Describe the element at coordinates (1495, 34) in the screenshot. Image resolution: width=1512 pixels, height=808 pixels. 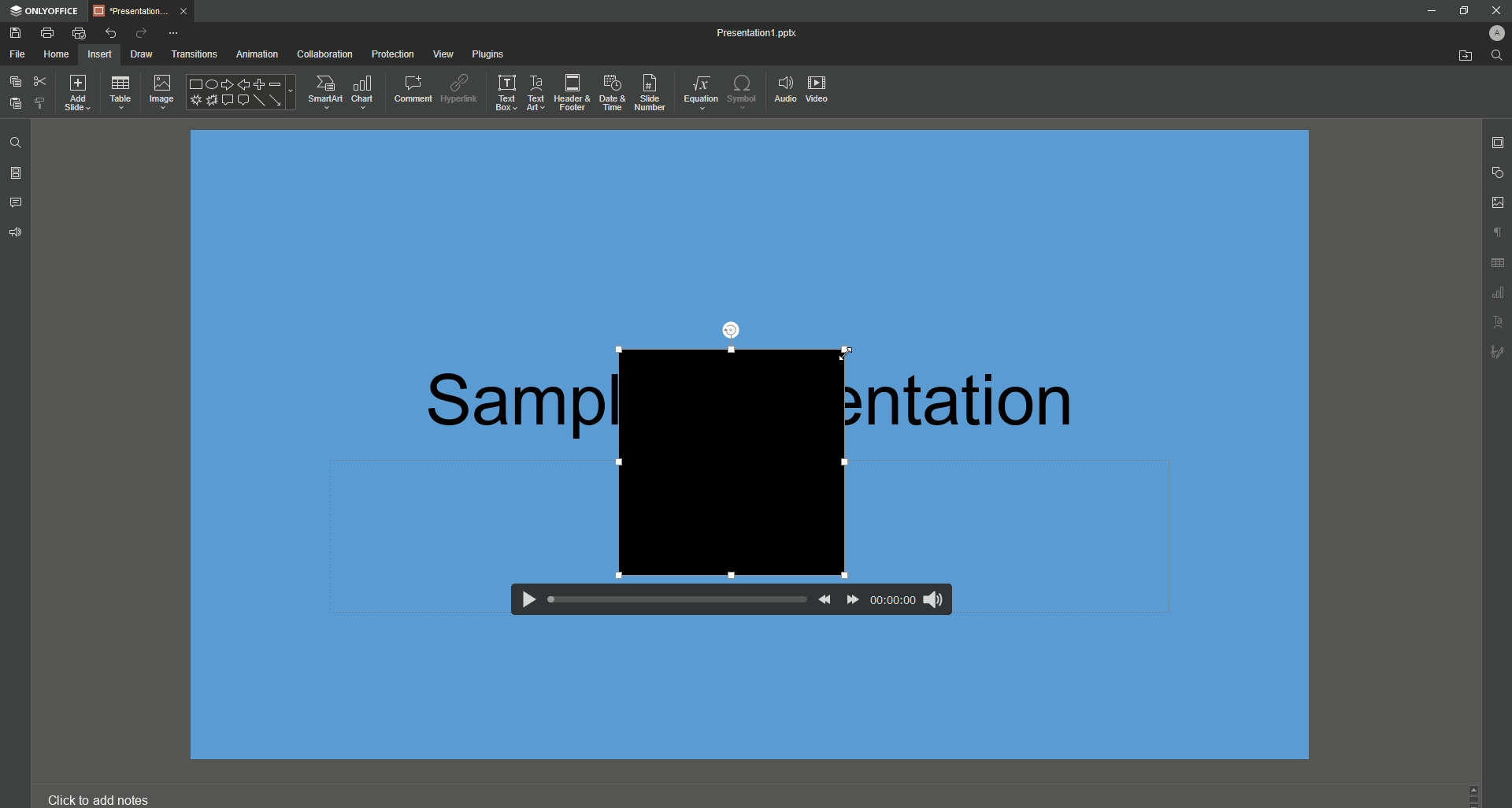
I see `Profile` at that location.